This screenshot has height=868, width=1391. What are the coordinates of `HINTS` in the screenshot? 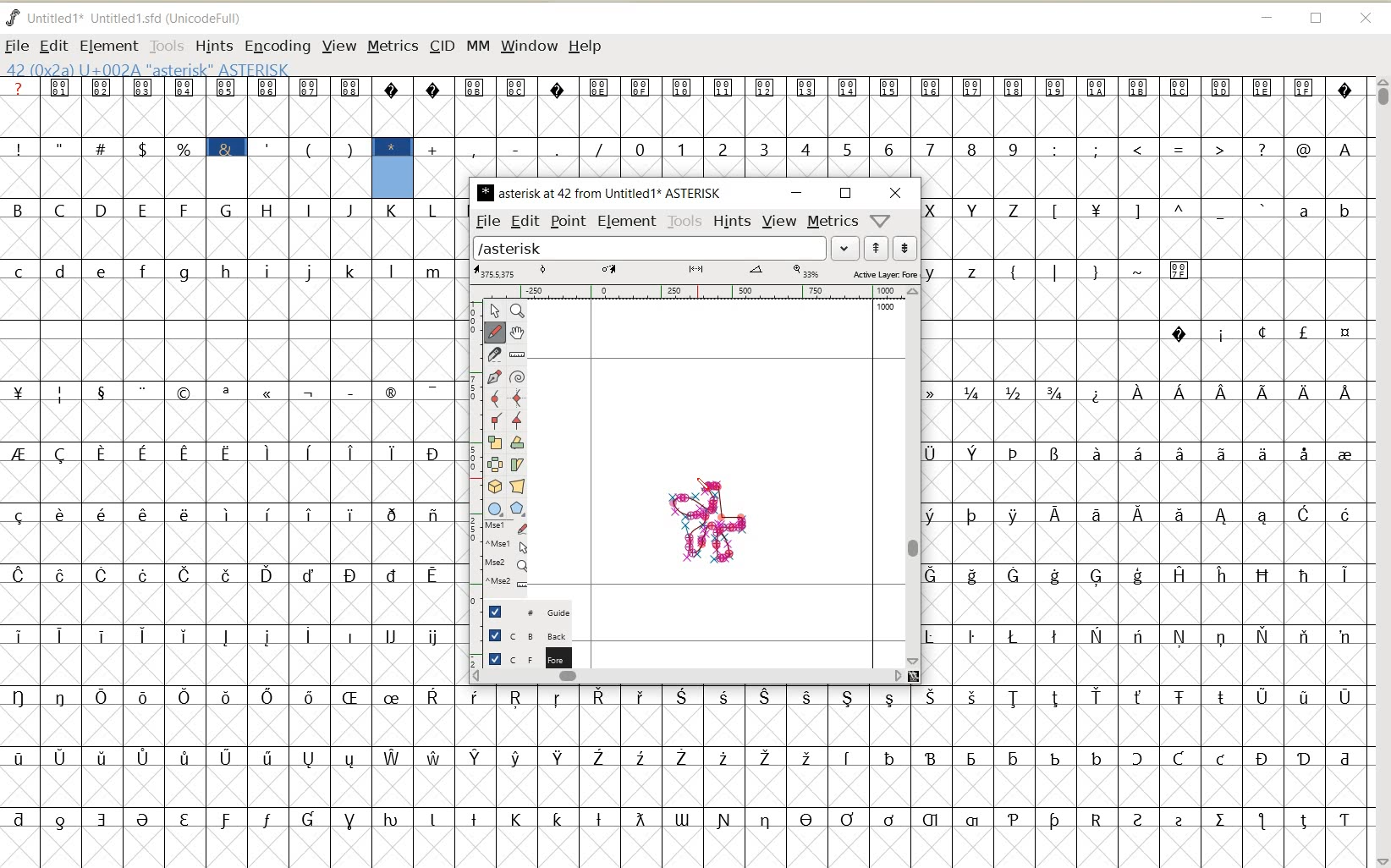 It's located at (213, 47).